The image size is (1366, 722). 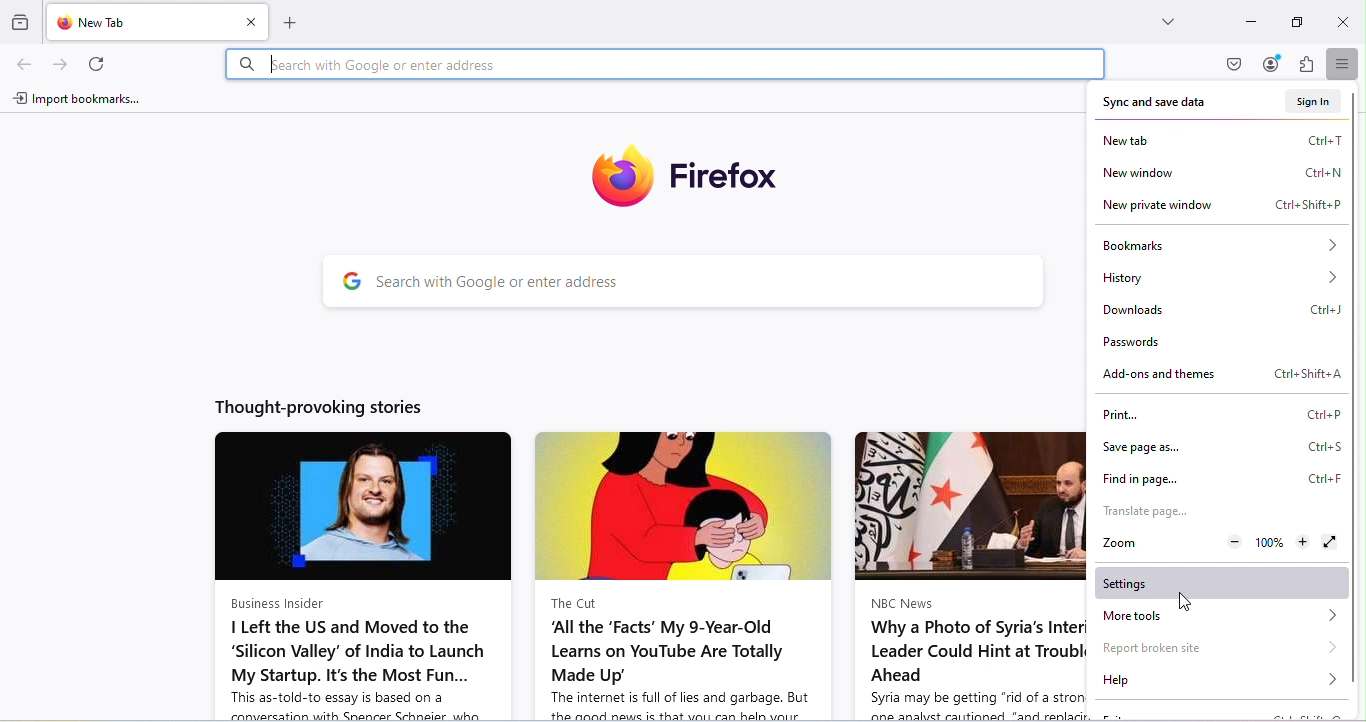 What do you see at coordinates (1145, 514) in the screenshot?
I see `Translate page` at bounding box center [1145, 514].